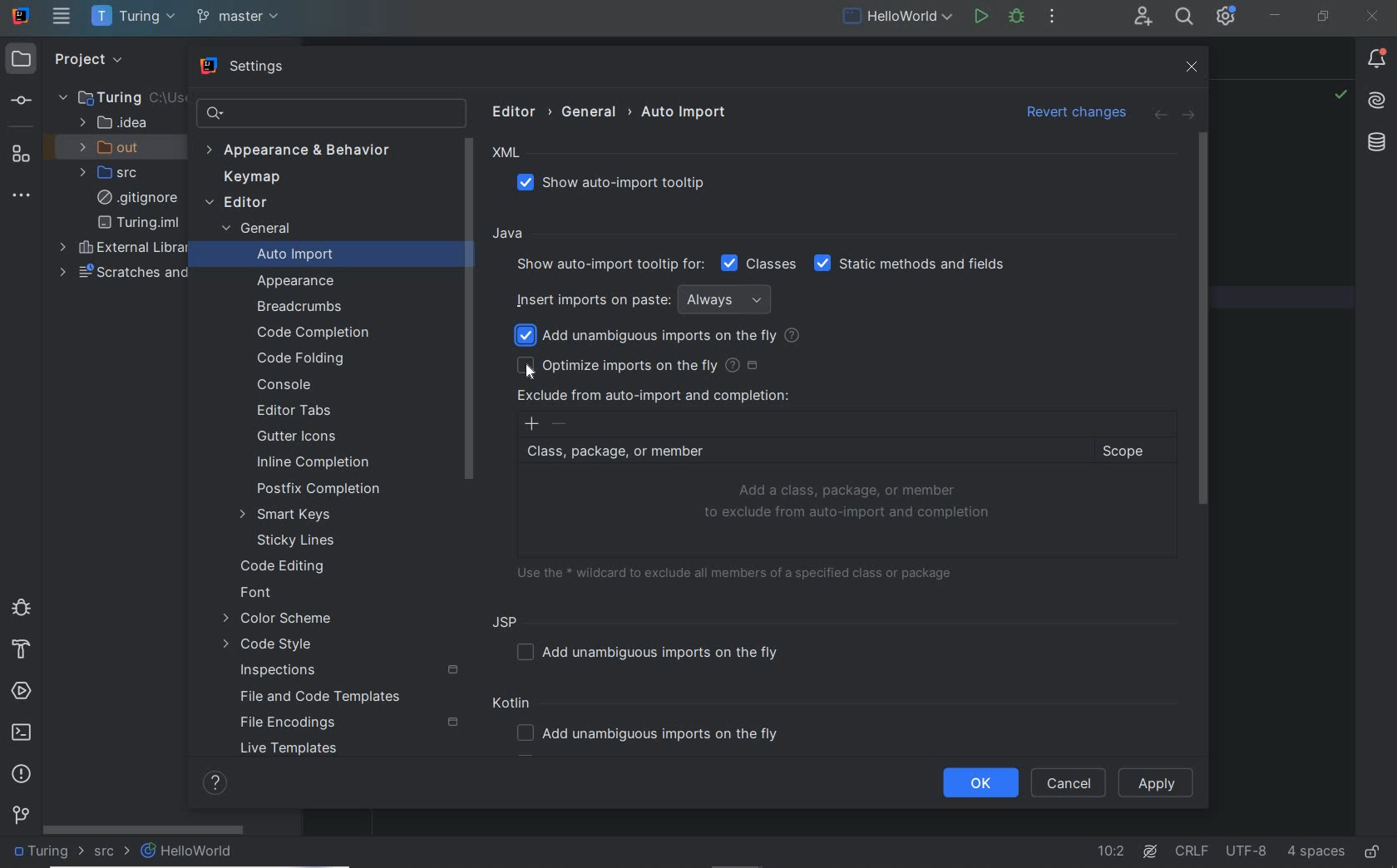  I want to click on FONT, so click(257, 594).